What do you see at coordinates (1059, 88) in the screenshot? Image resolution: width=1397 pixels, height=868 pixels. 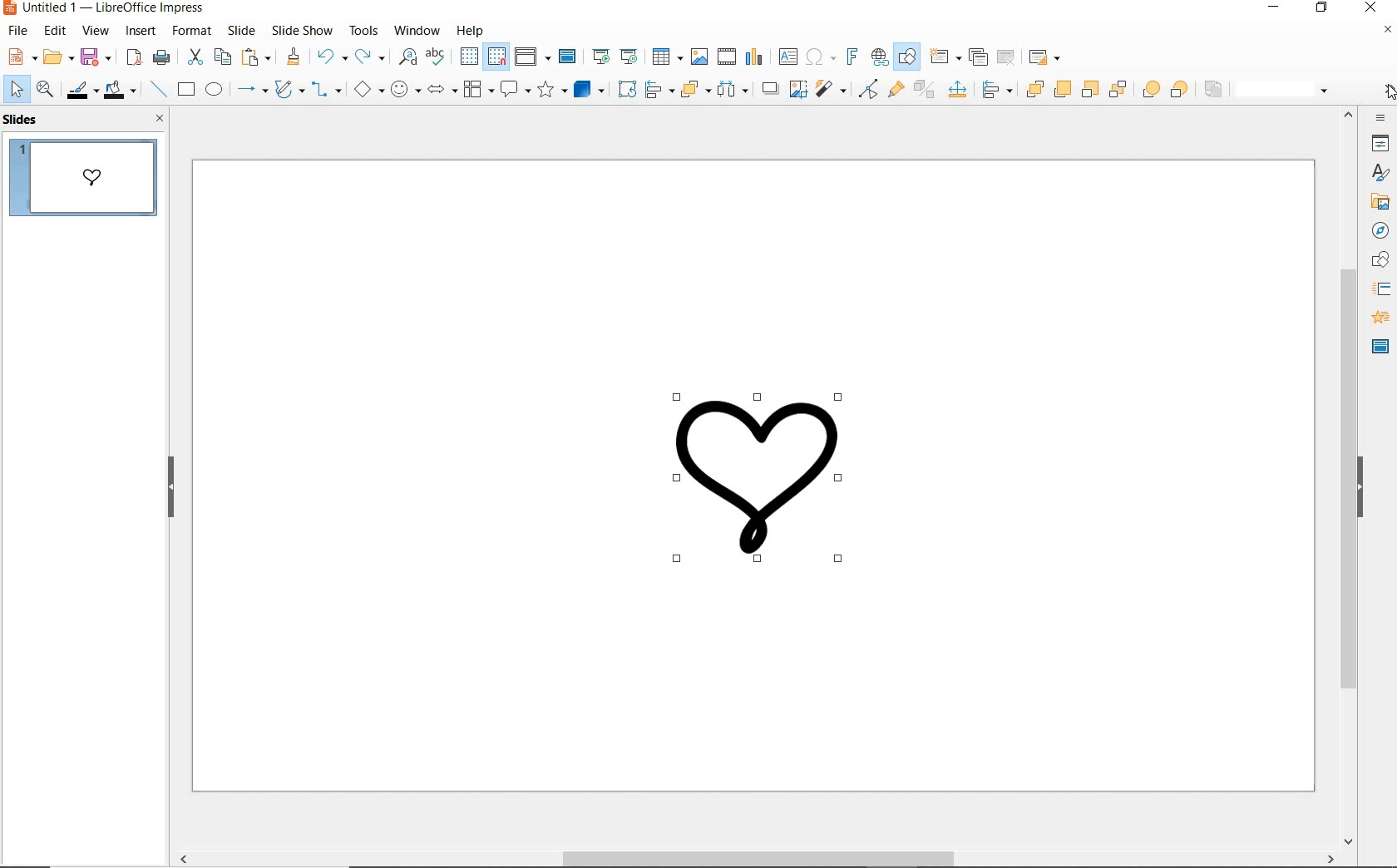 I see `bring forward` at bounding box center [1059, 88].